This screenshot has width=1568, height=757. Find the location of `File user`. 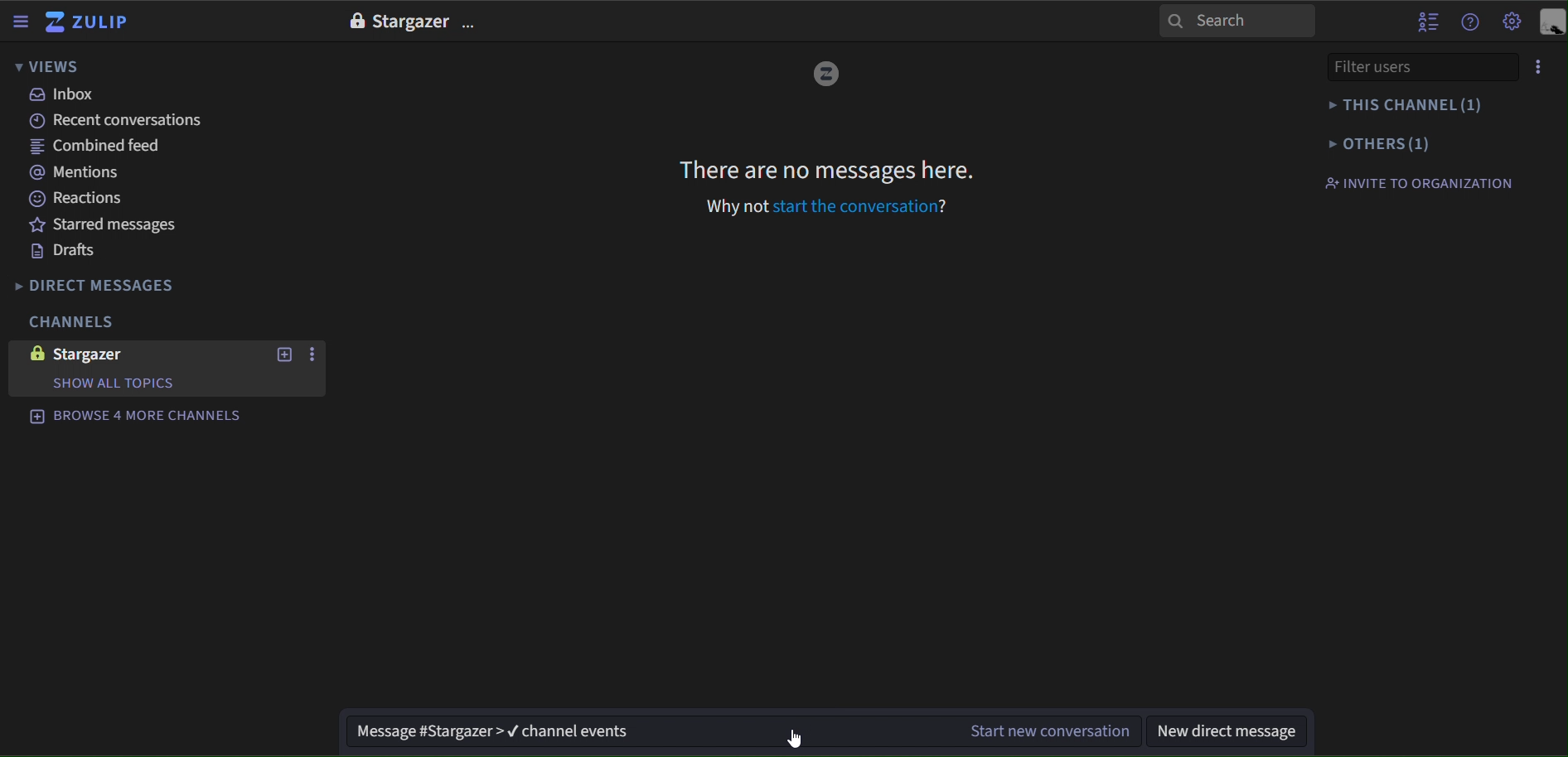

File user is located at coordinates (1398, 66).